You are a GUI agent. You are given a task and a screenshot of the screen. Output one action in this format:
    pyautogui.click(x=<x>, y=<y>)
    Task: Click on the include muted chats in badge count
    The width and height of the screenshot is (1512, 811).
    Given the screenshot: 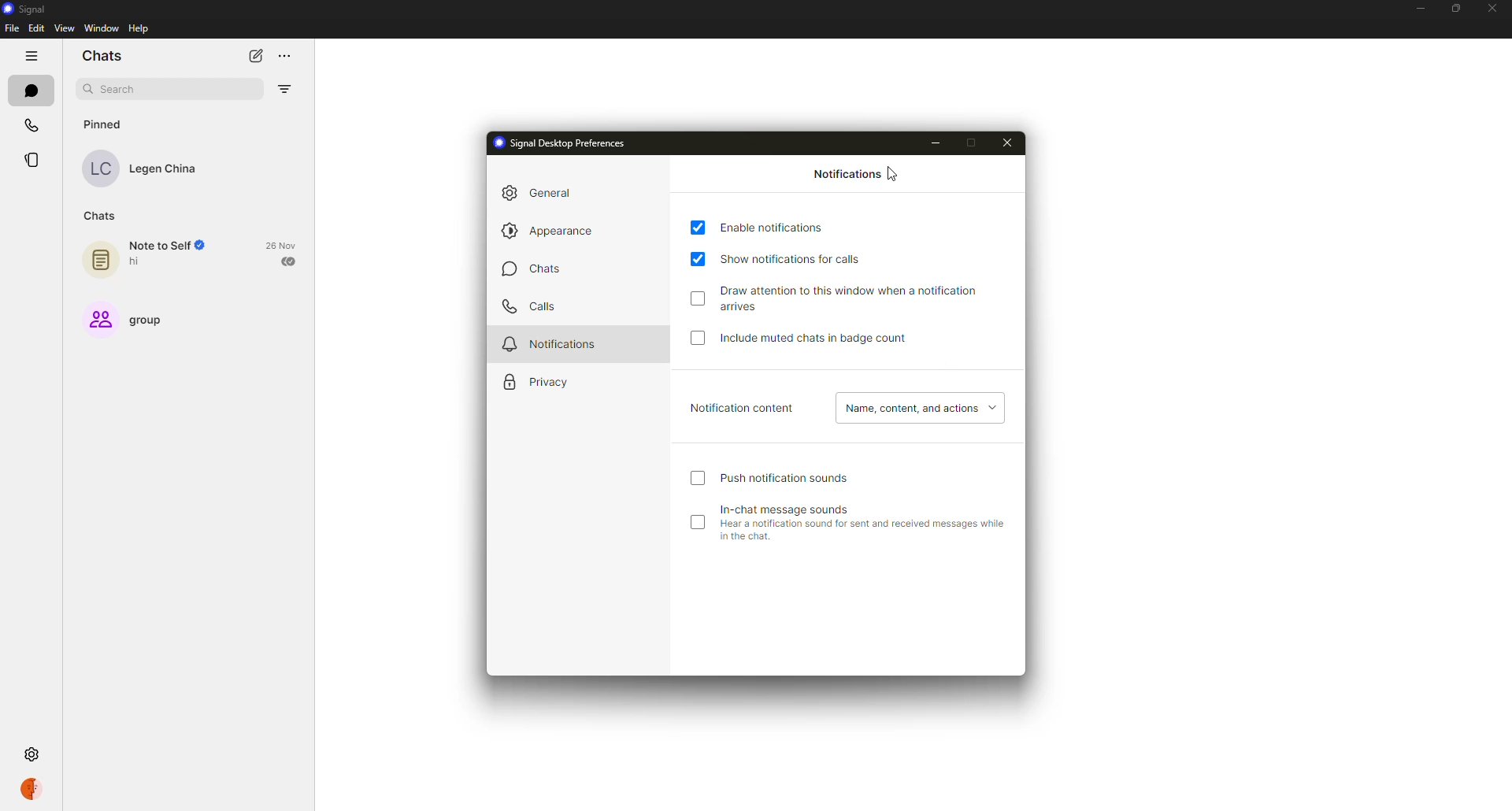 What is the action you would take?
    pyautogui.click(x=814, y=339)
    